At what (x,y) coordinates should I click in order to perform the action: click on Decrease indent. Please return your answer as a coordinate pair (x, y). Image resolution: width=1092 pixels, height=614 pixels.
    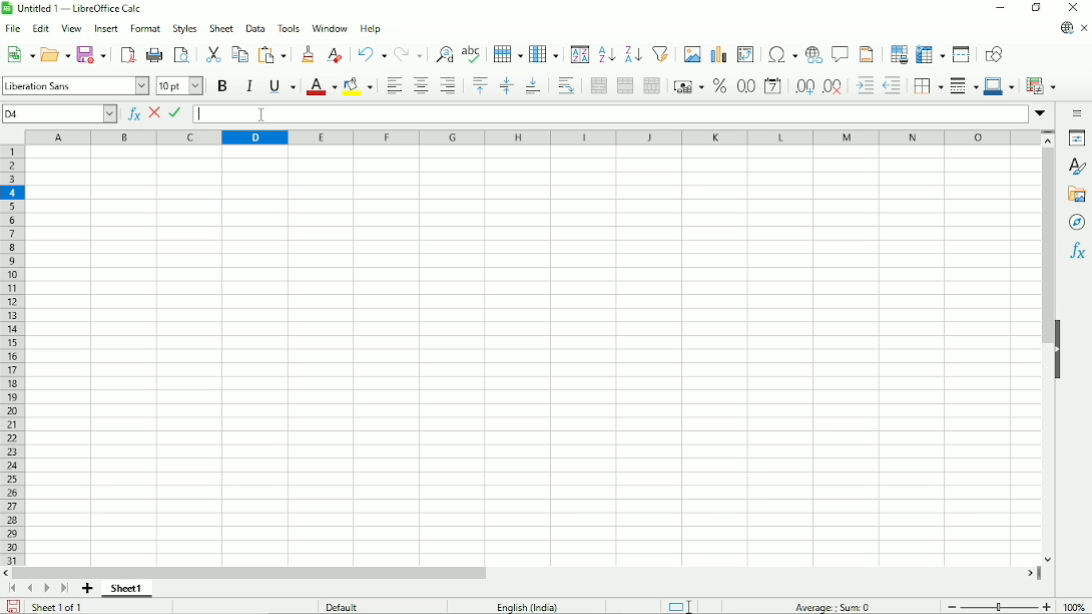
    Looking at the image, I should click on (893, 86).